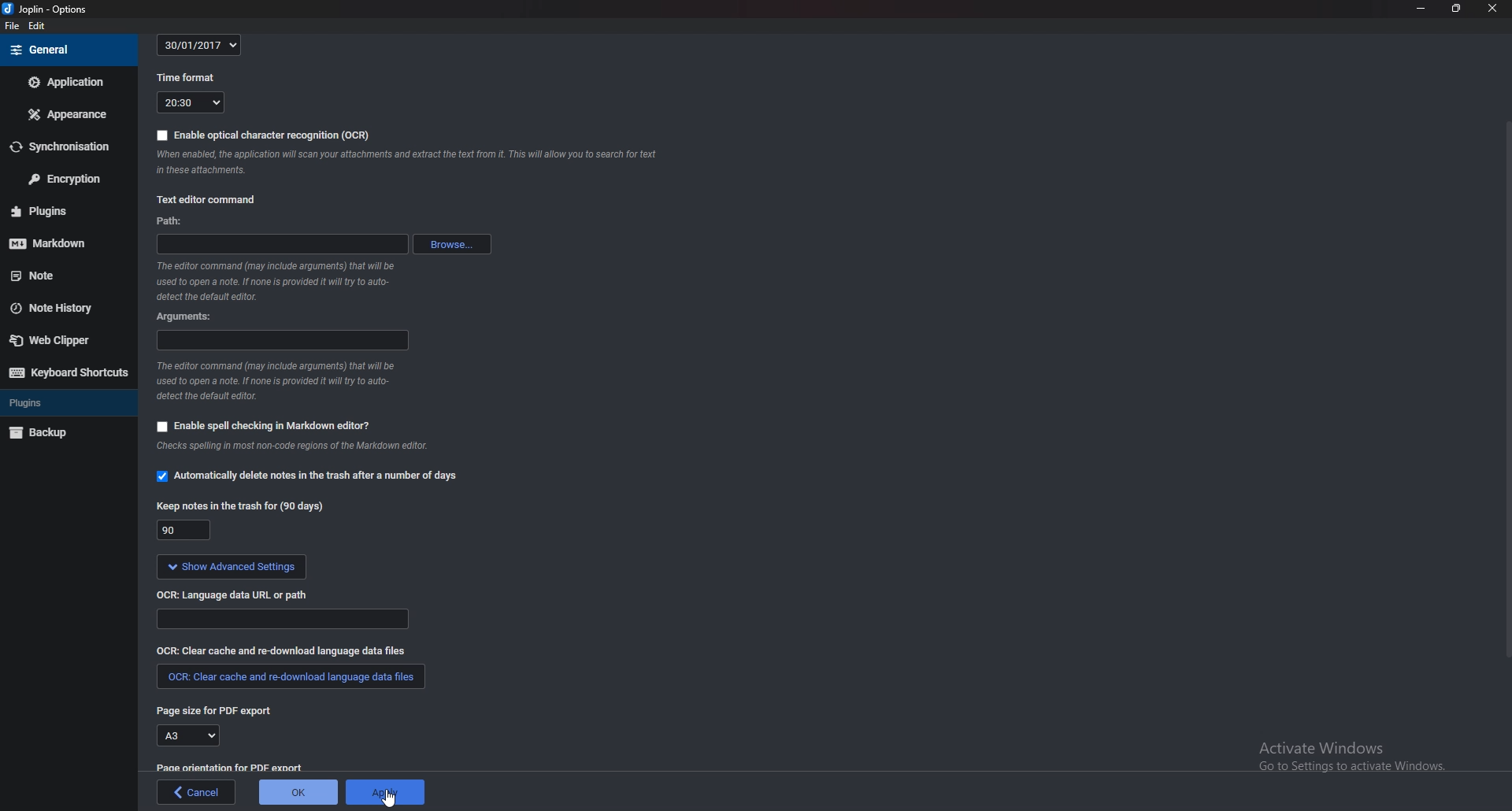  I want to click on Application, so click(67, 83).